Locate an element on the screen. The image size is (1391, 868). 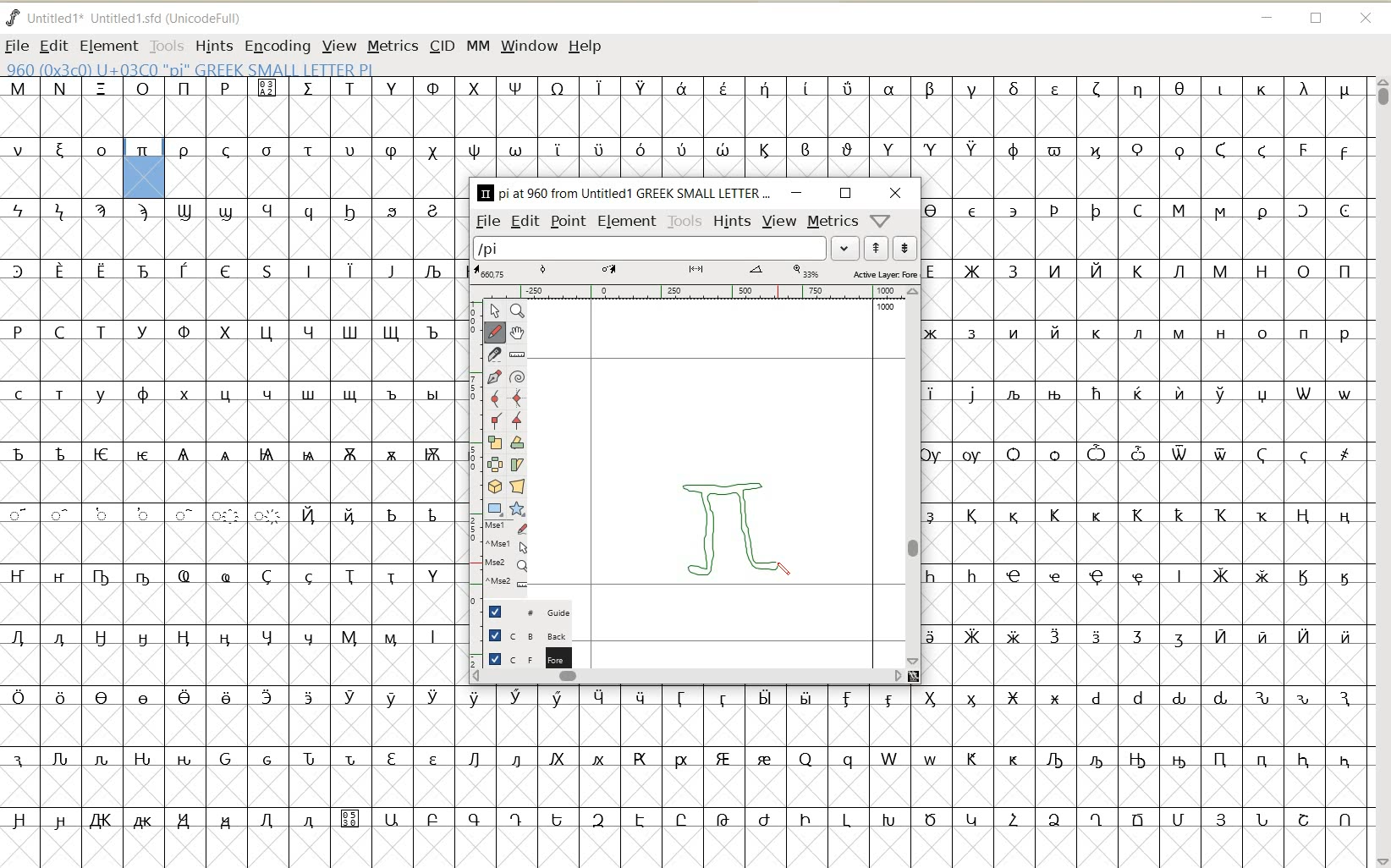
scroll by hand is located at coordinates (517, 333).